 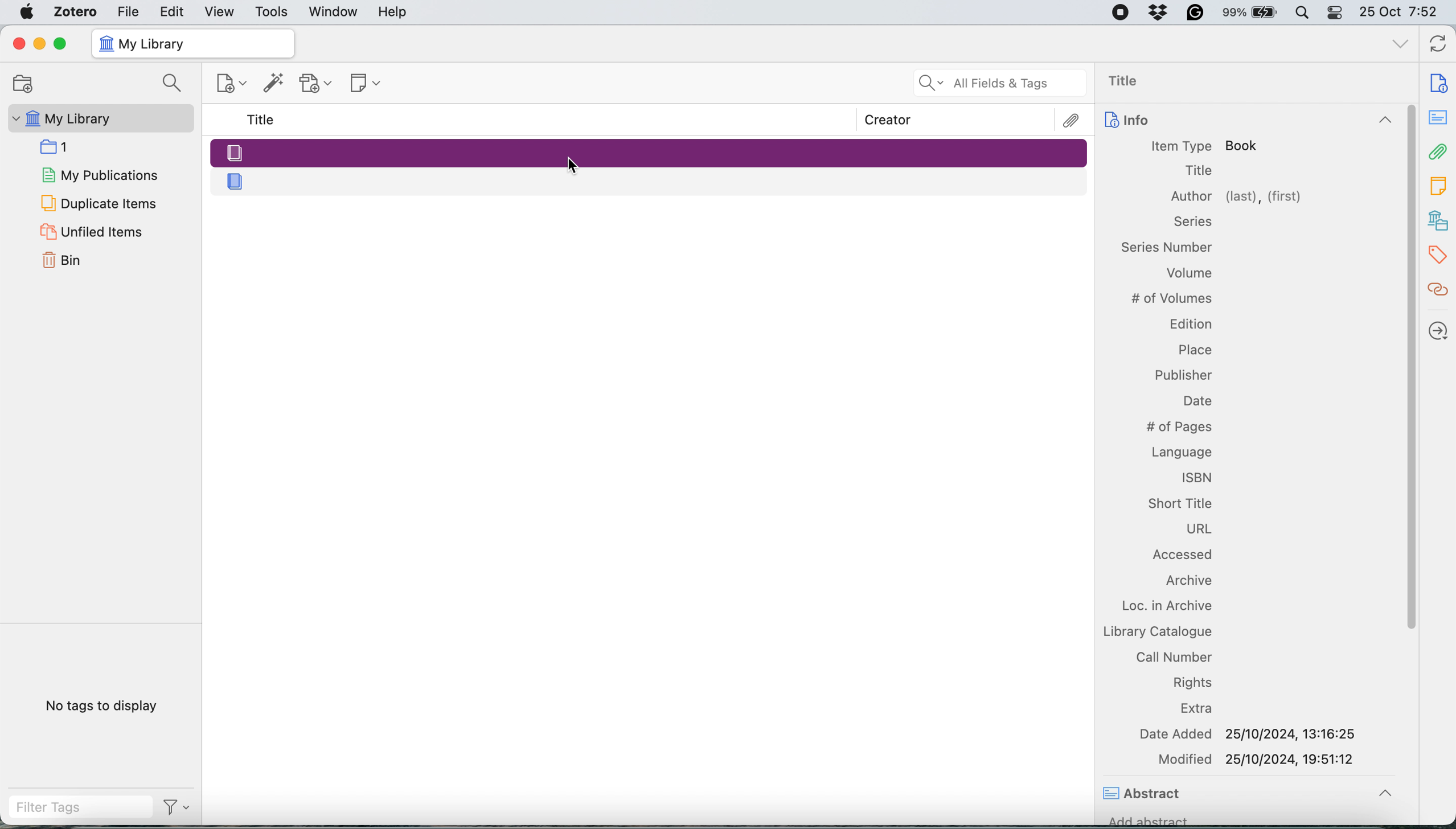 What do you see at coordinates (1439, 46) in the screenshot?
I see `Sync with Zotero.com` at bounding box center [1439, 46].